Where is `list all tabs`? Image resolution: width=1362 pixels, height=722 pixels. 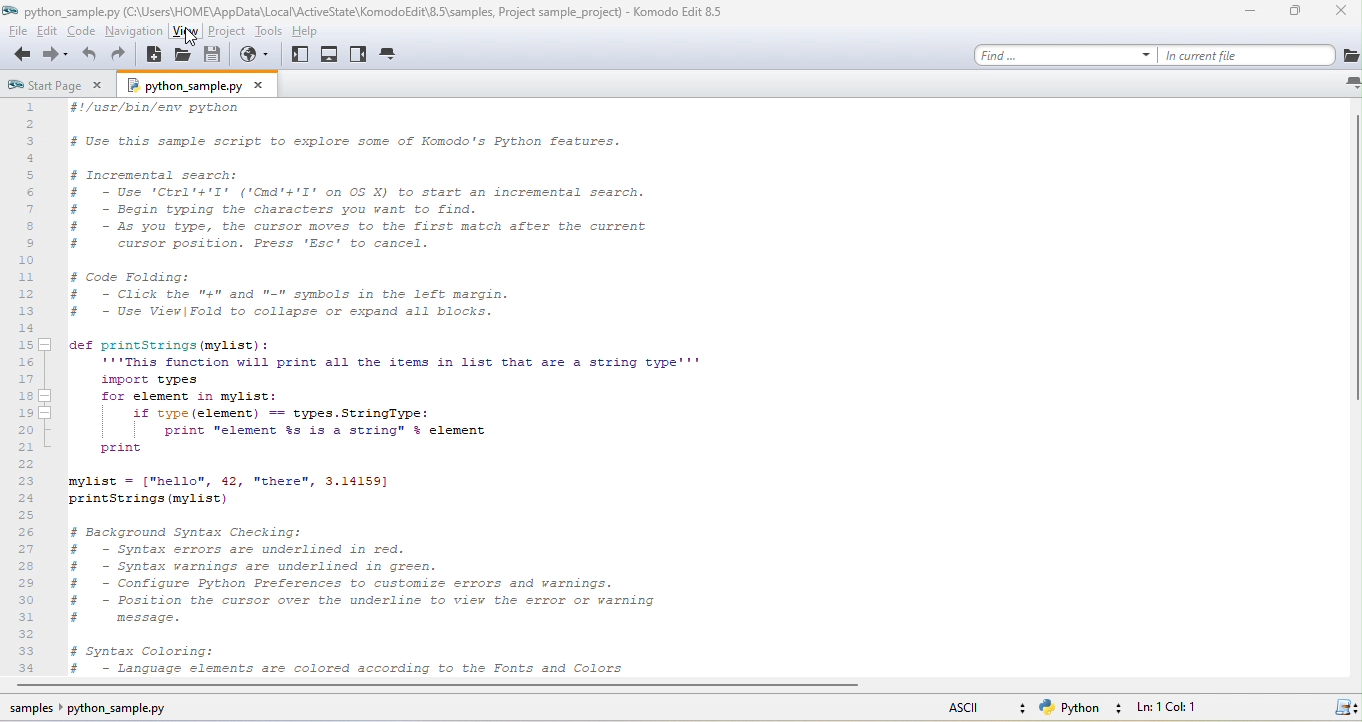 list all tabs is located at coordinates (1348, 82).